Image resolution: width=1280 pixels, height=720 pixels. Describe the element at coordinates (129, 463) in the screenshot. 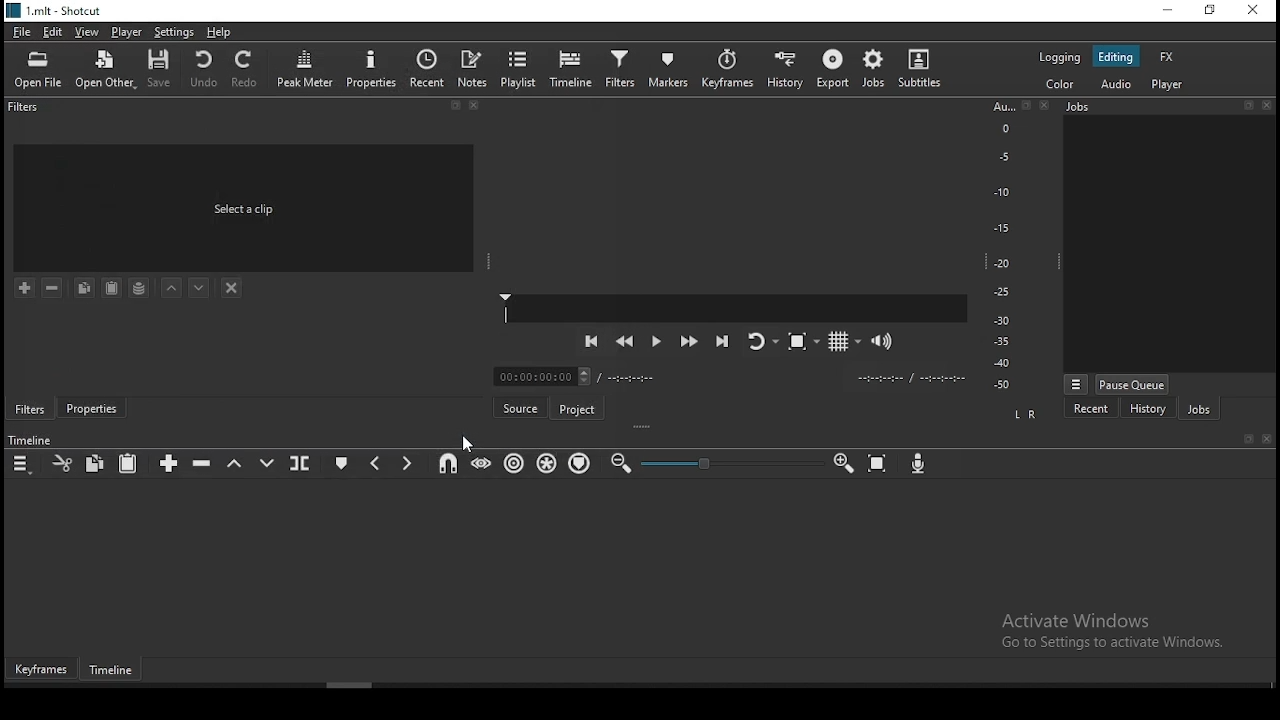

I see `paste` at that location.